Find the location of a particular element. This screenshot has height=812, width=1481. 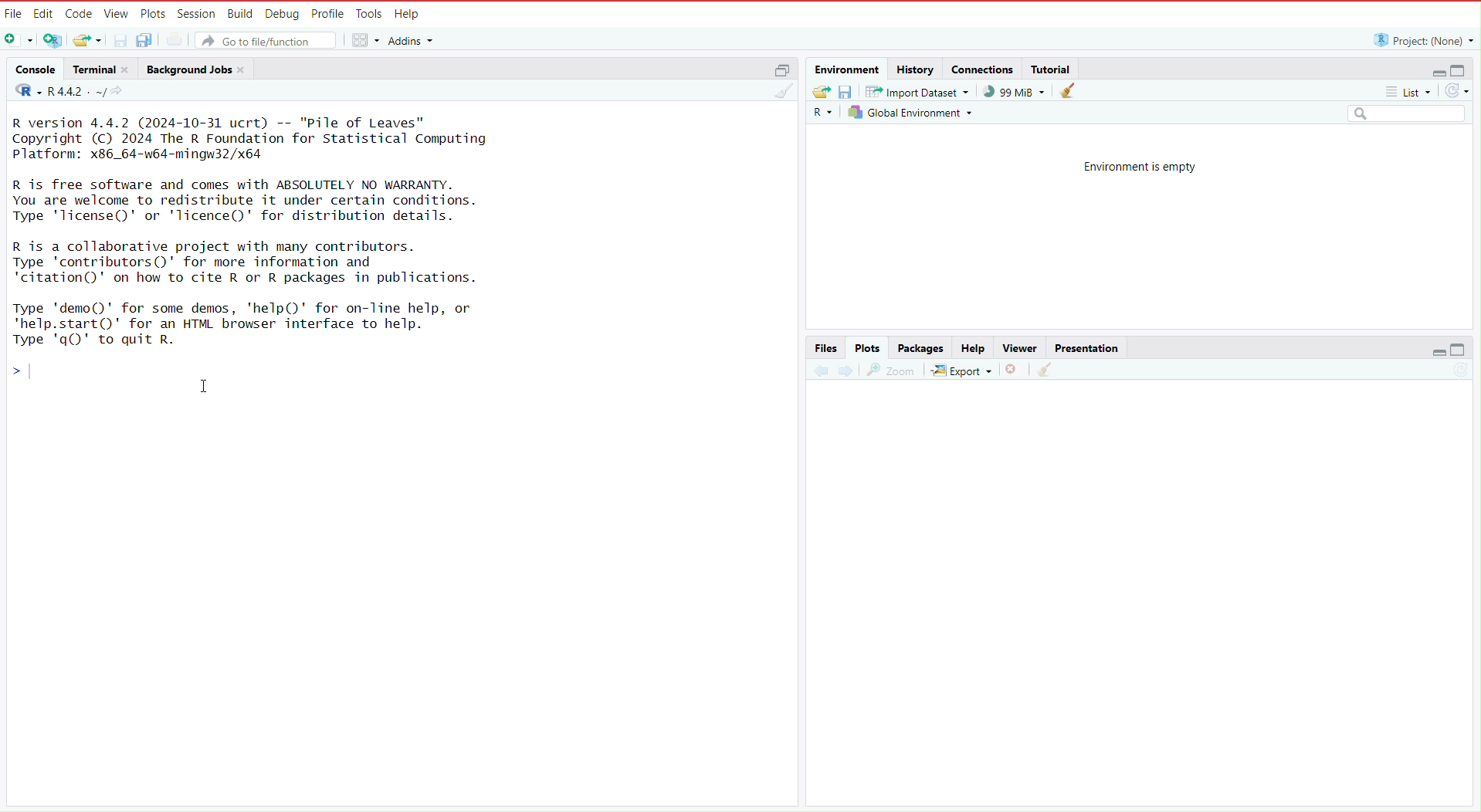

language select is located at coordinates (22, 92).